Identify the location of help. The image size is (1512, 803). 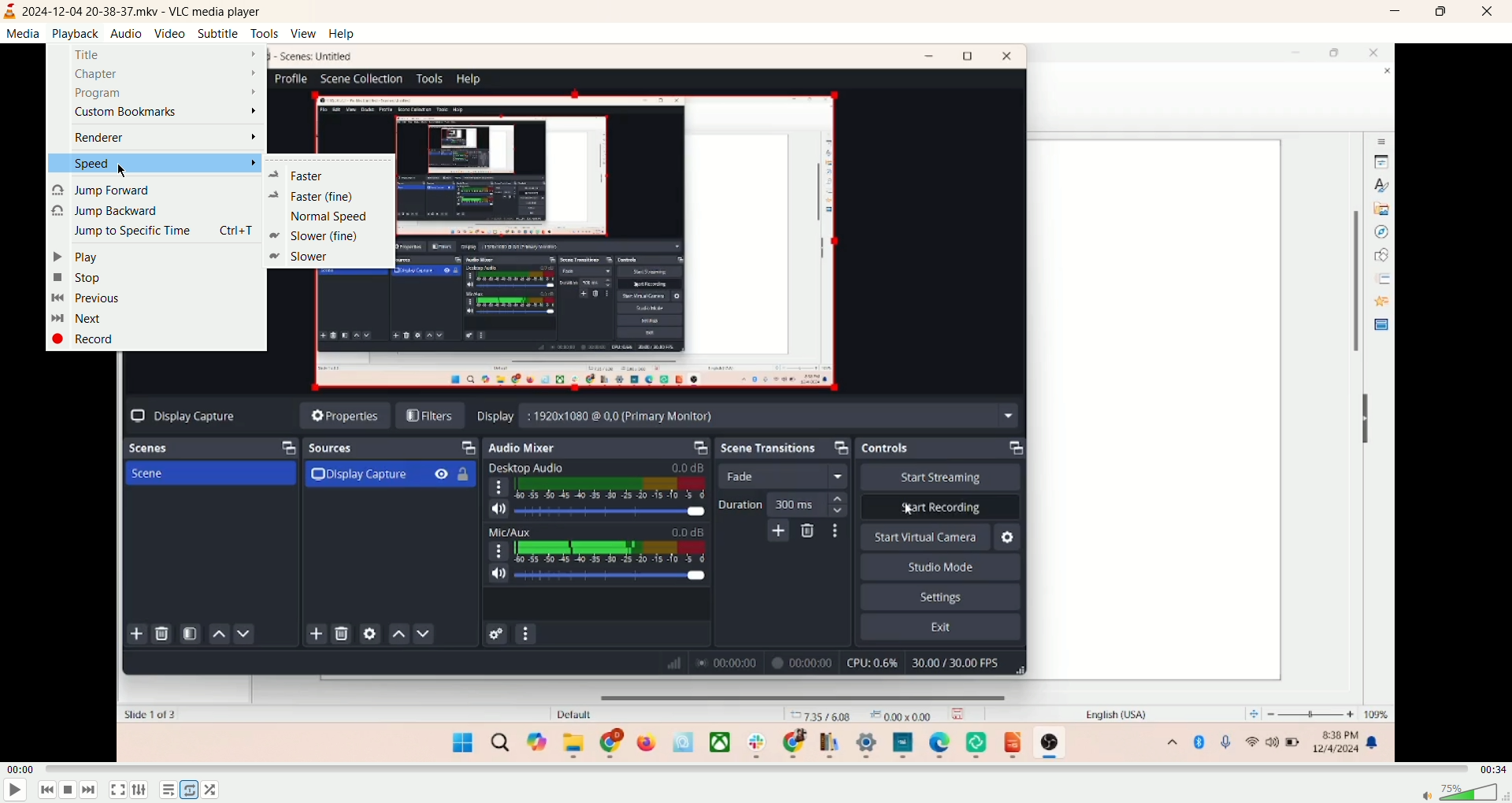
(340, 35).